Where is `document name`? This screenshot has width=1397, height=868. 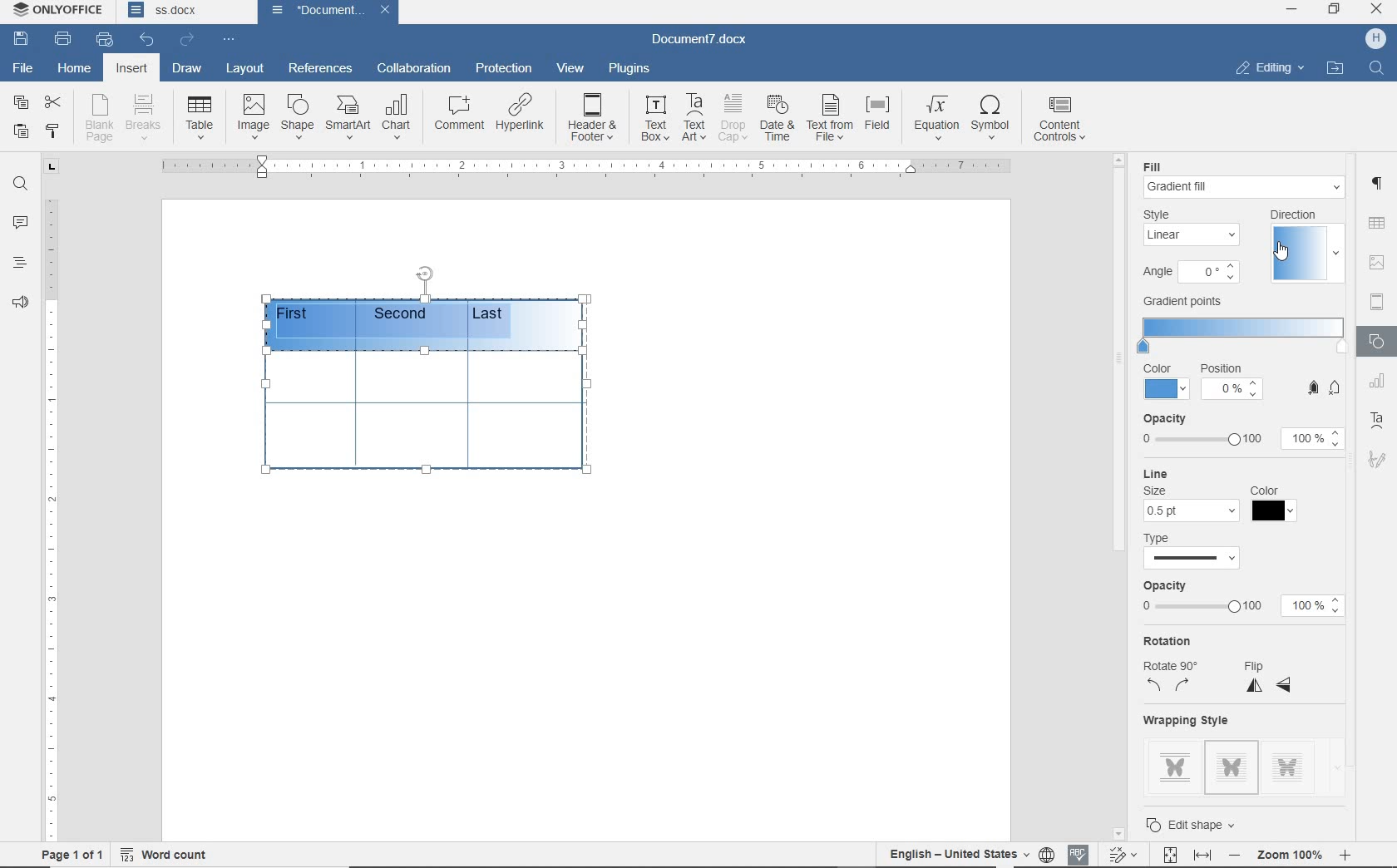 document name is located at coordinates (706, 37).